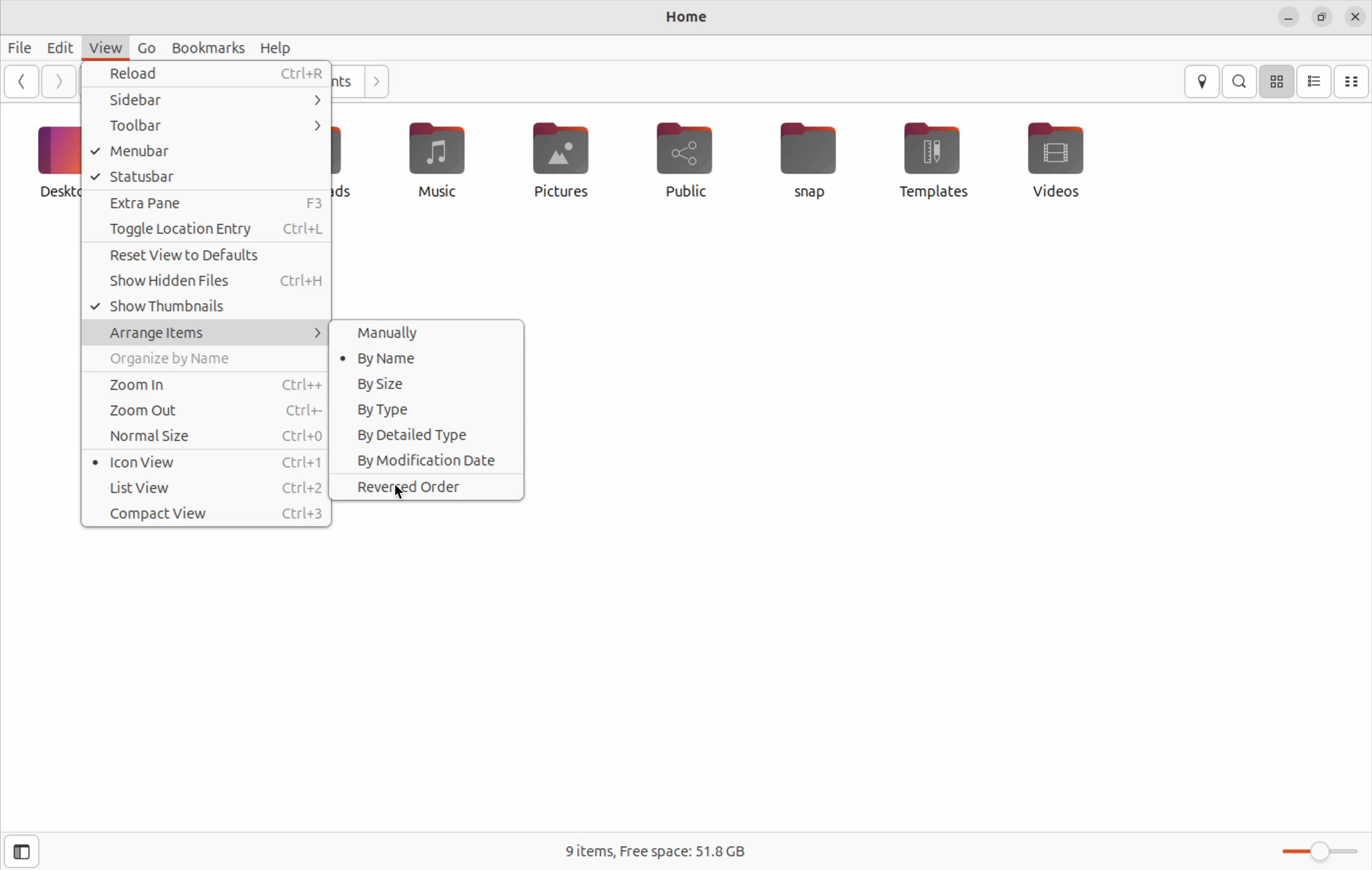  I want to click on next, so click(375, 81).